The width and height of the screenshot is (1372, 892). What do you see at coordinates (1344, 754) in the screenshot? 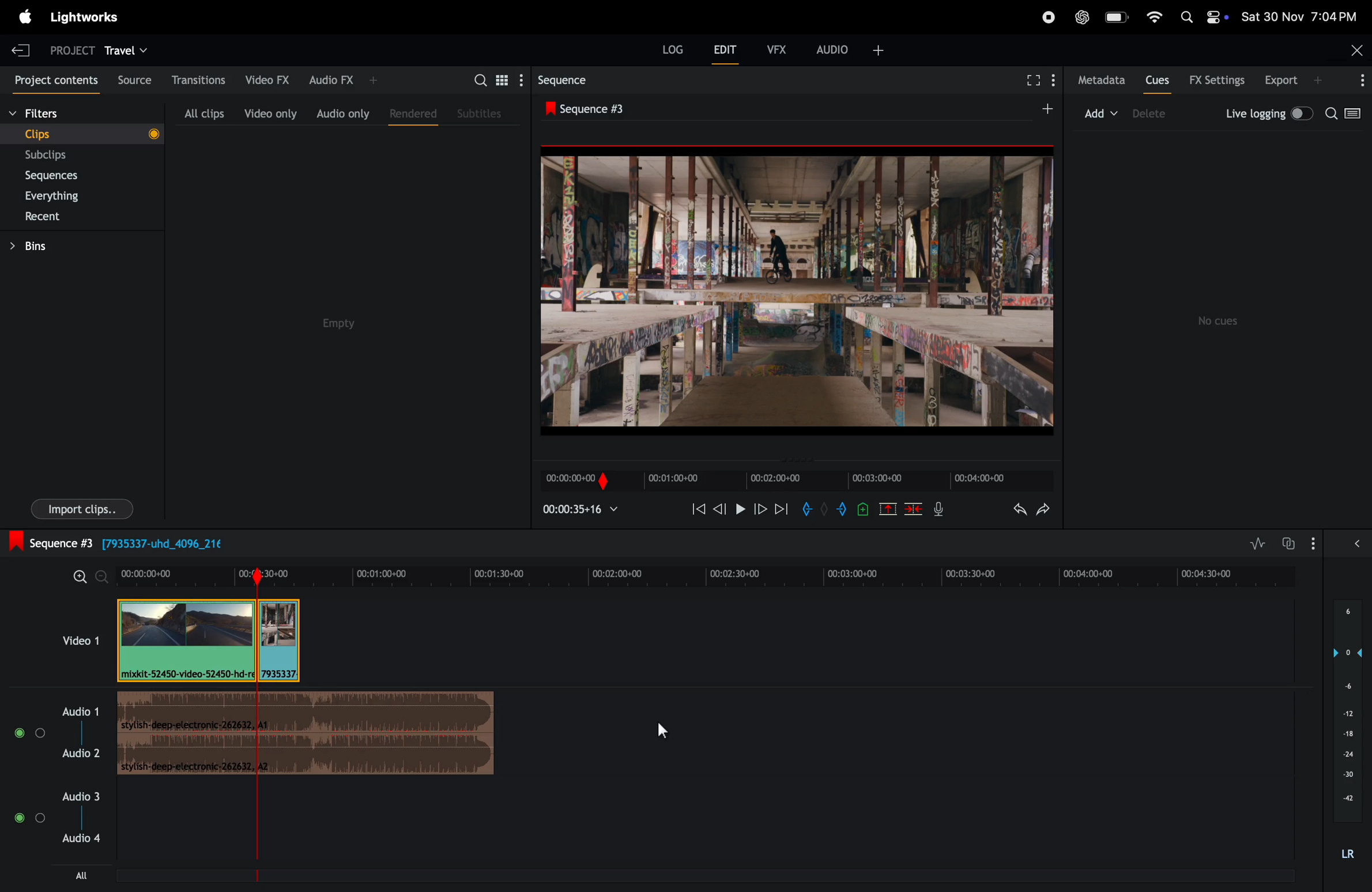
I see `-24 (layers)` at bounding box center [1344, 754].